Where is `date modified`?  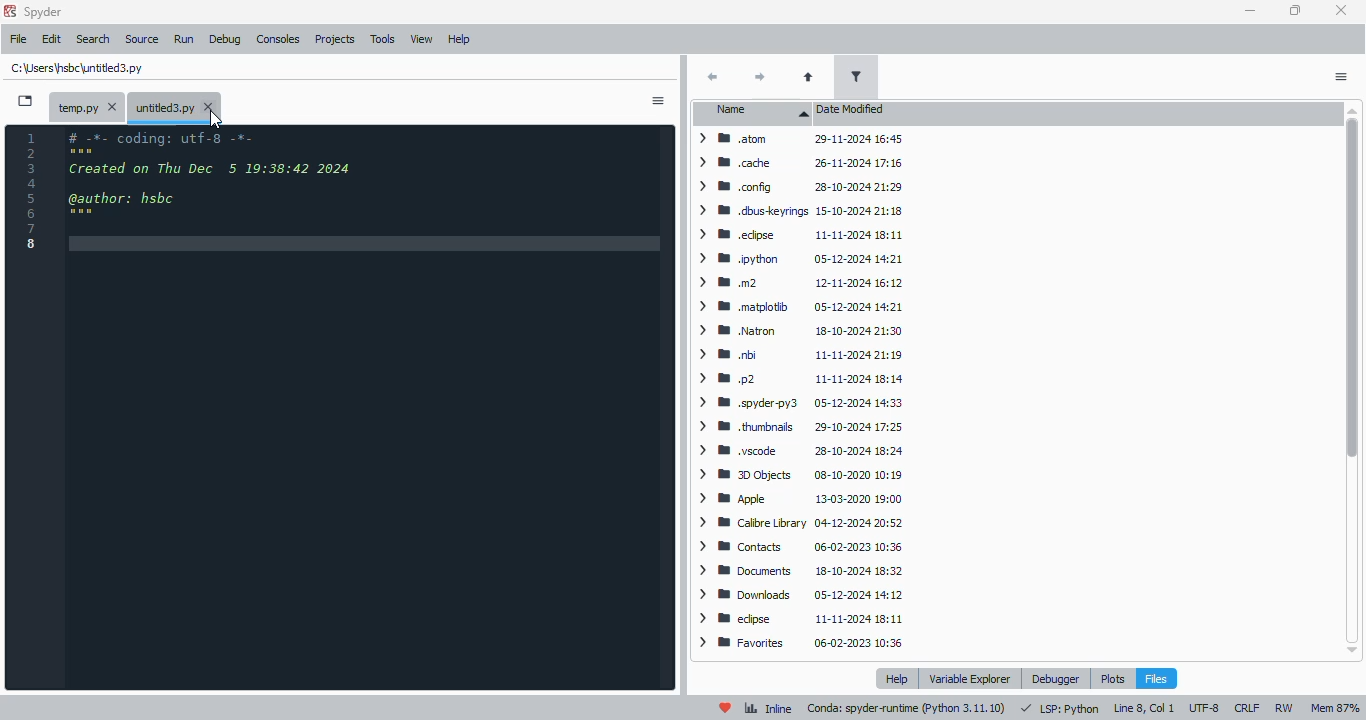 date modified is located at coordinates (852, 110).